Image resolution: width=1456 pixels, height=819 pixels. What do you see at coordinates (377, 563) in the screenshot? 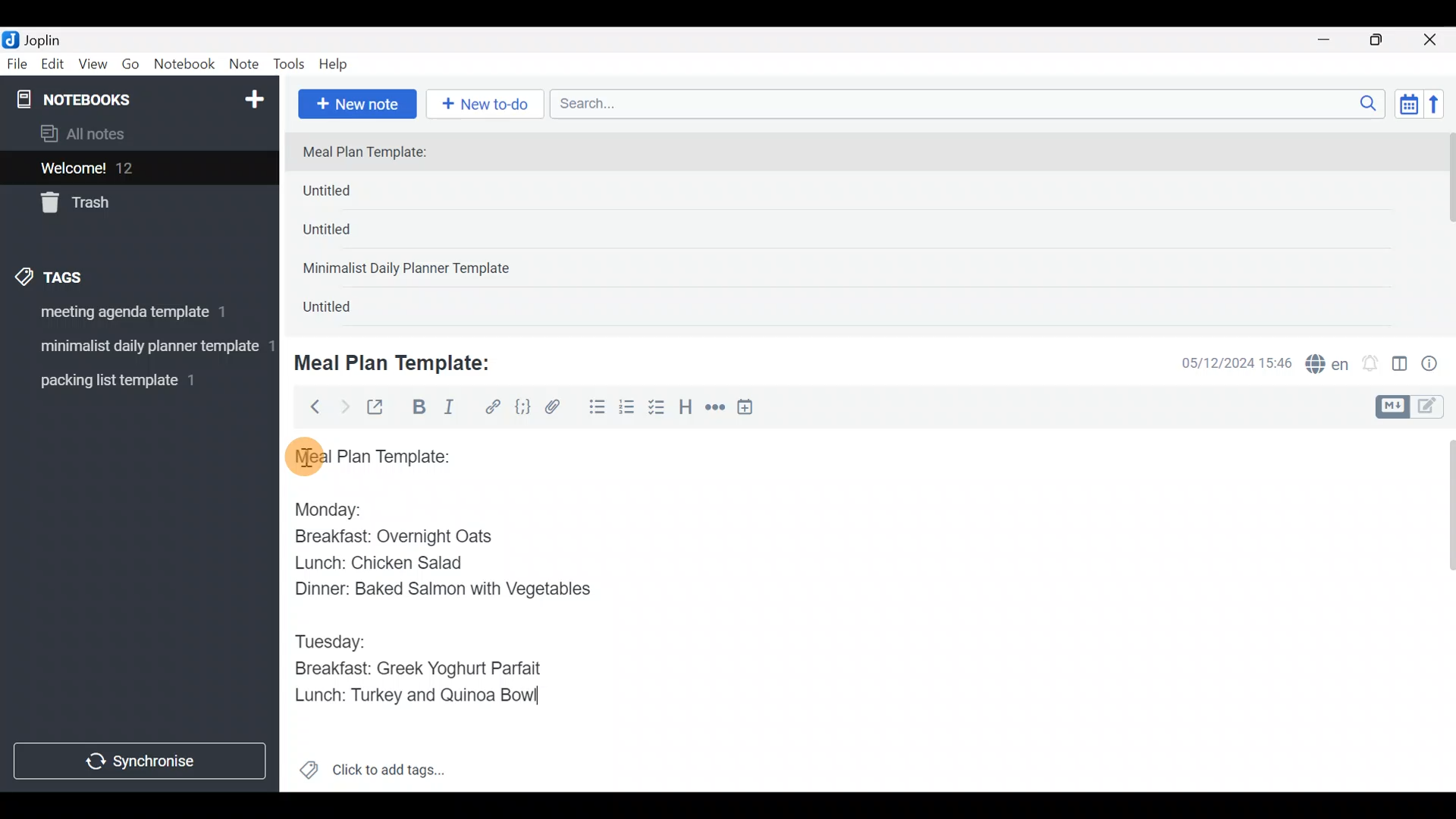
I see `Lunch: Chicken Salad` at bounding box center [377, 563].